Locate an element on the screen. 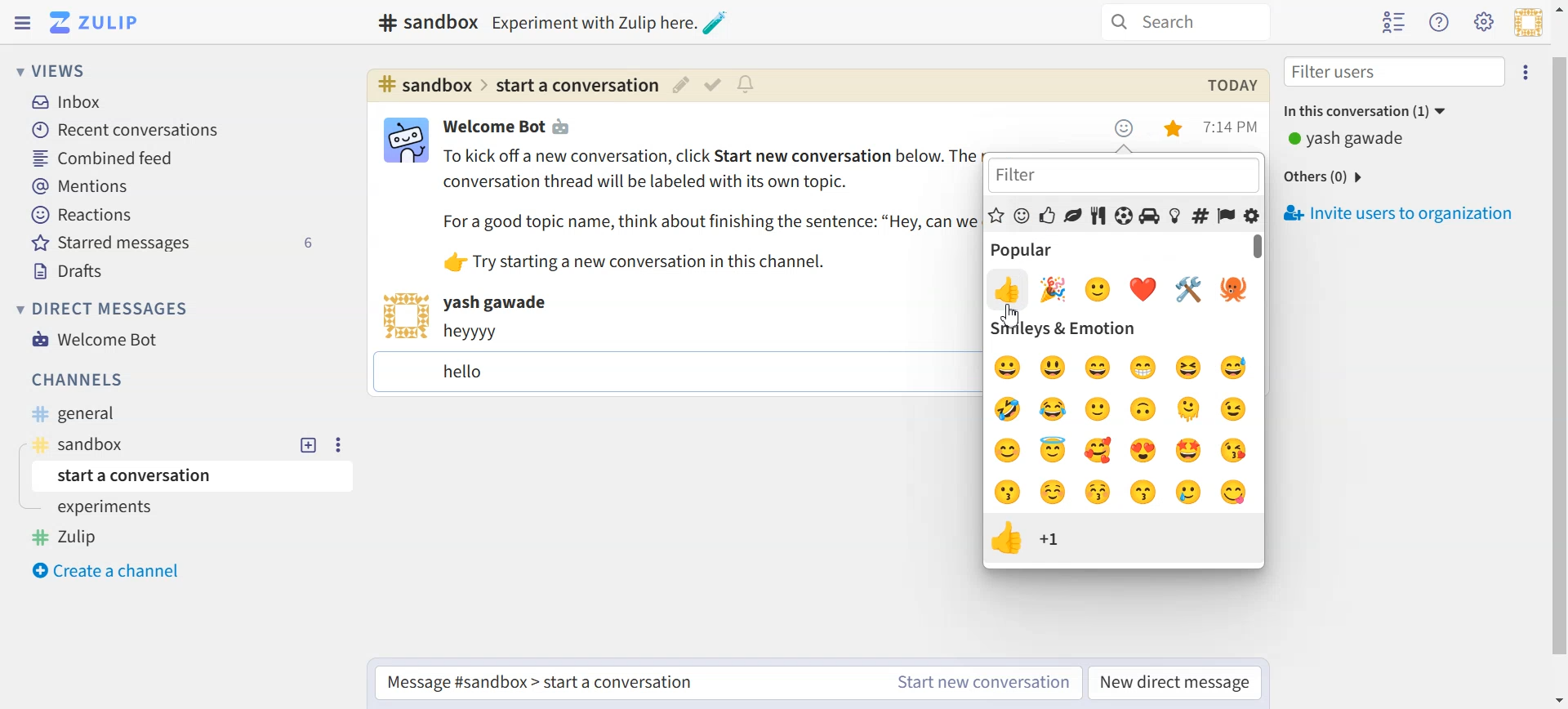  Vertical scroll bar is located at coordinates (1558, 354).